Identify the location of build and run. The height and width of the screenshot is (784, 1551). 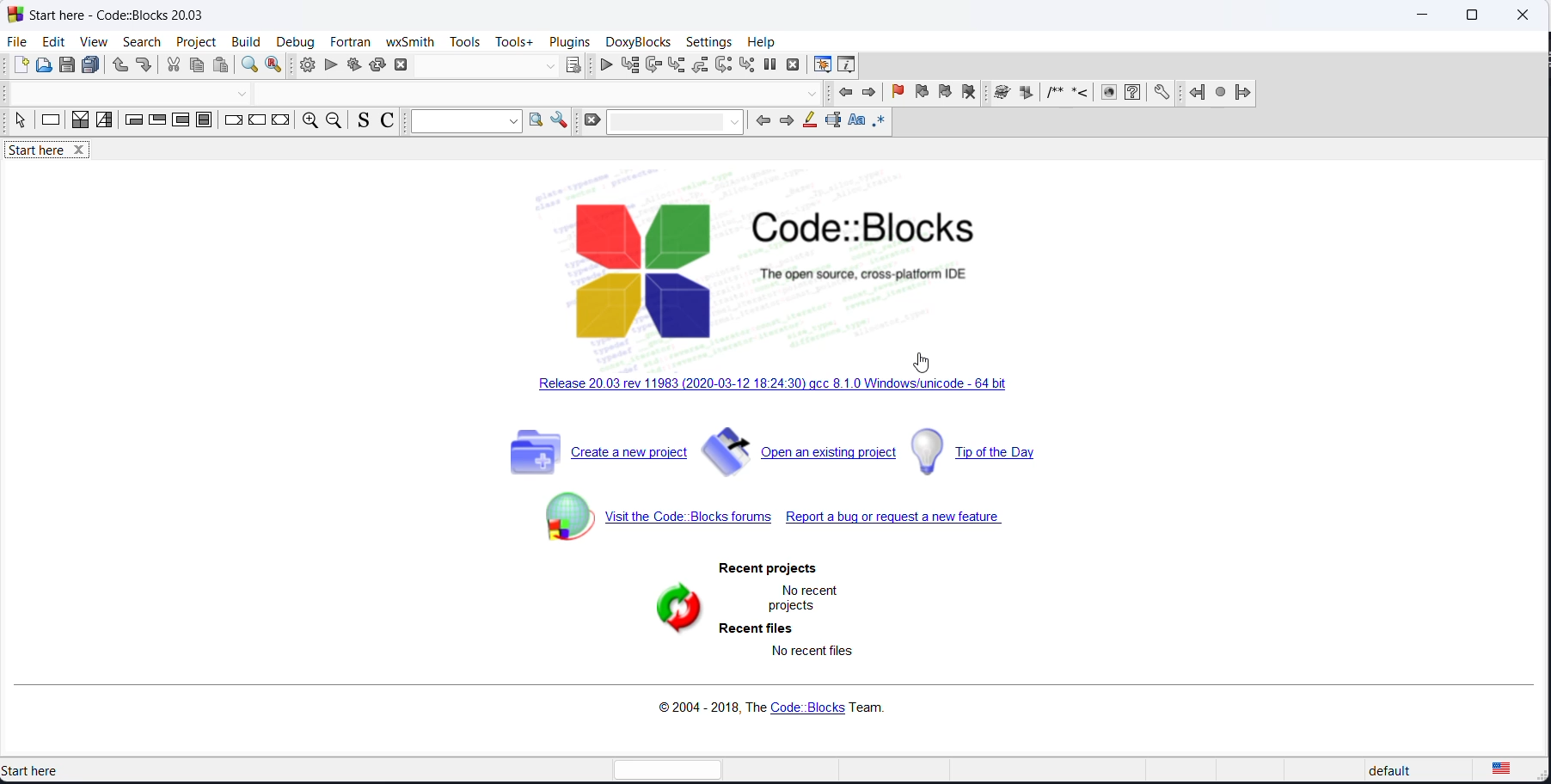
(352, 66).